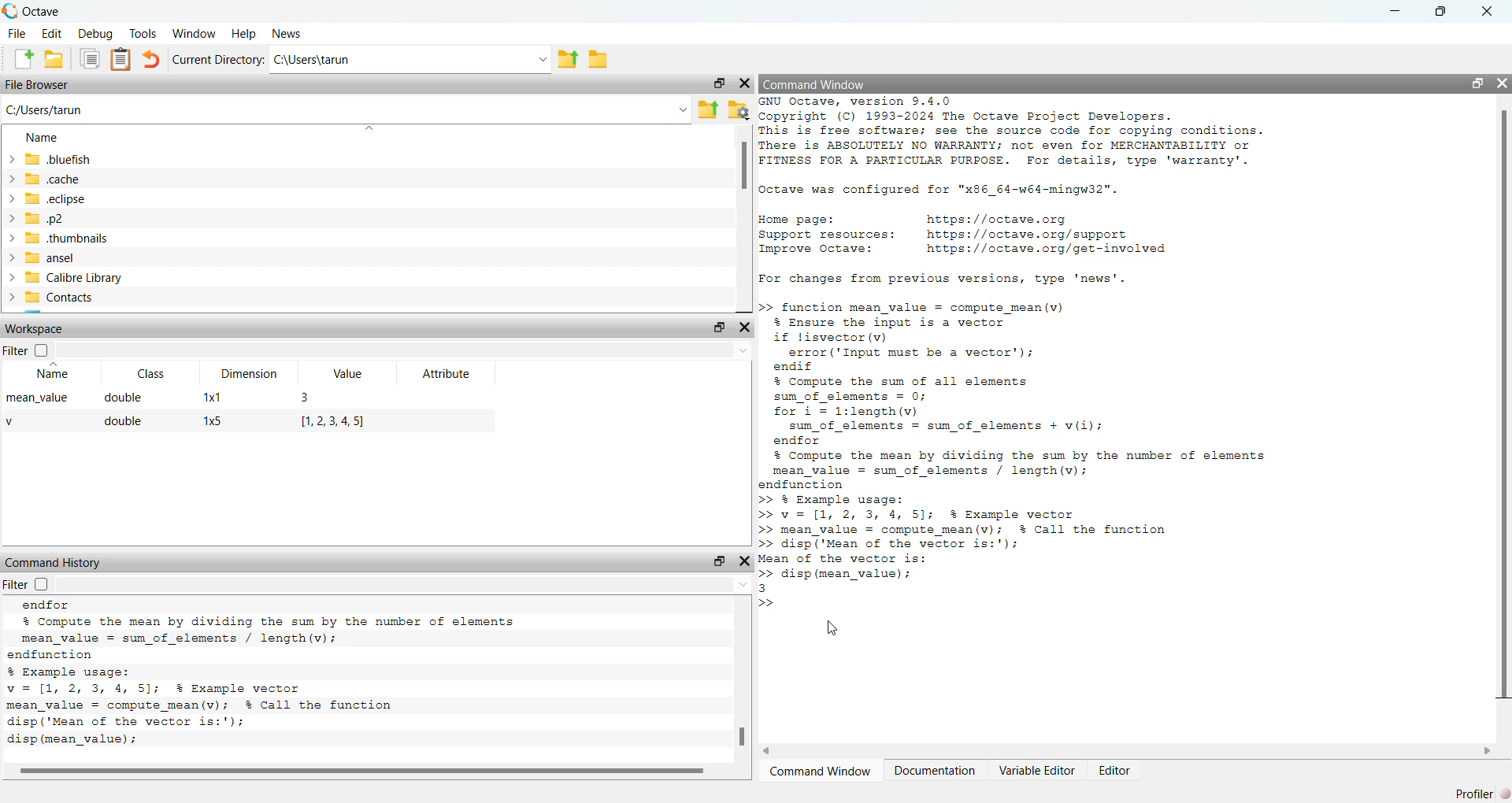 Image resolution: width=1512 pixels, height=803 pixels. What do you see at coordinates (1396, 9) in the screenshot?
I see `minimise` at bounding box center [1396, 9].